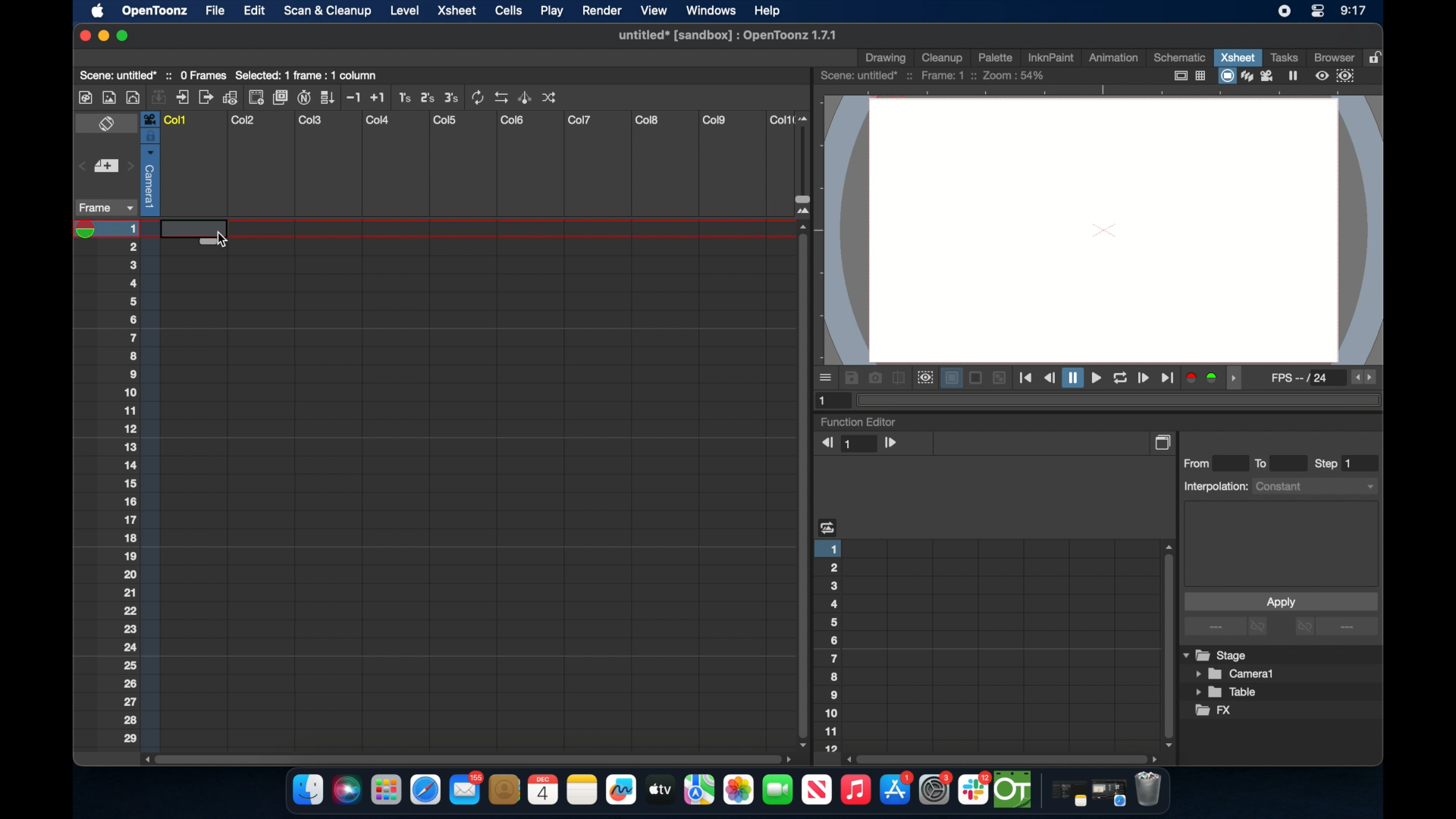 Image resolution: width=1456 pixels, height=819 pixels. Describe the element at coordinates (1216, 656) in the screenshot. I see `stage` at that location.